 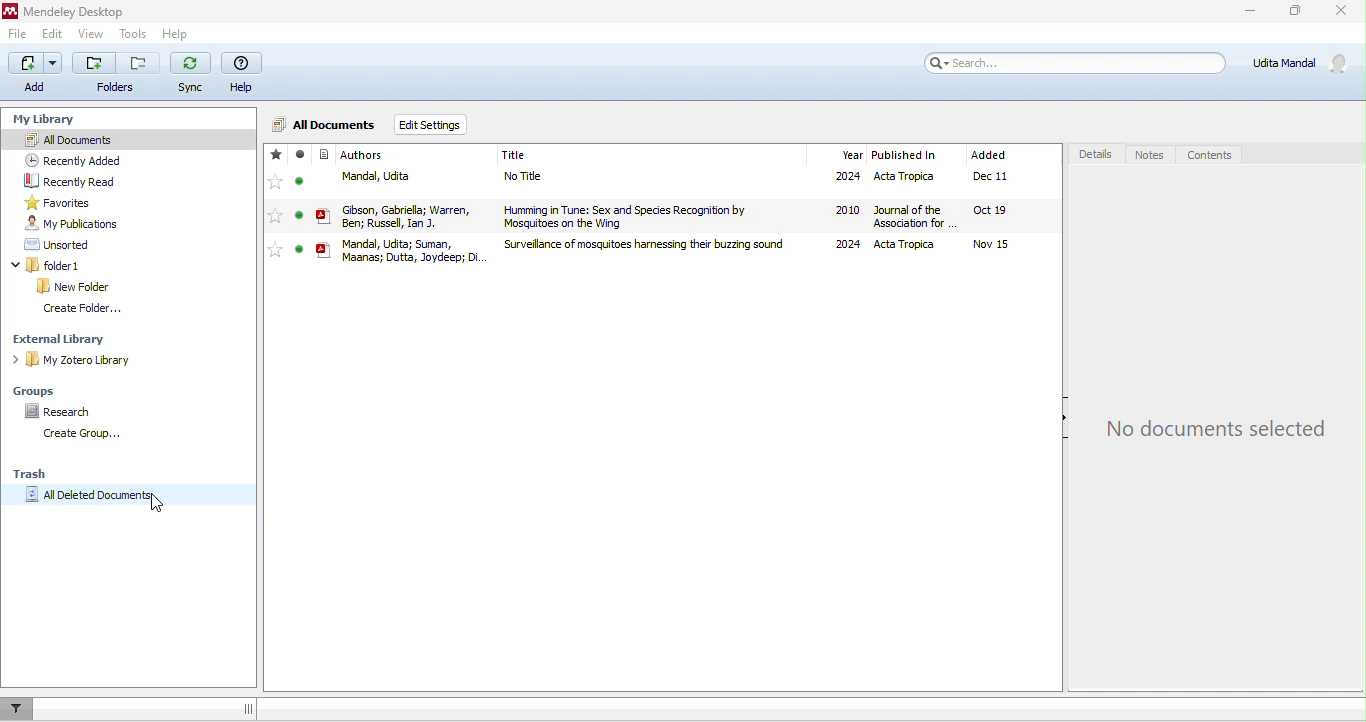 I want to click on no documents selected, so click(x=1224, y=413).